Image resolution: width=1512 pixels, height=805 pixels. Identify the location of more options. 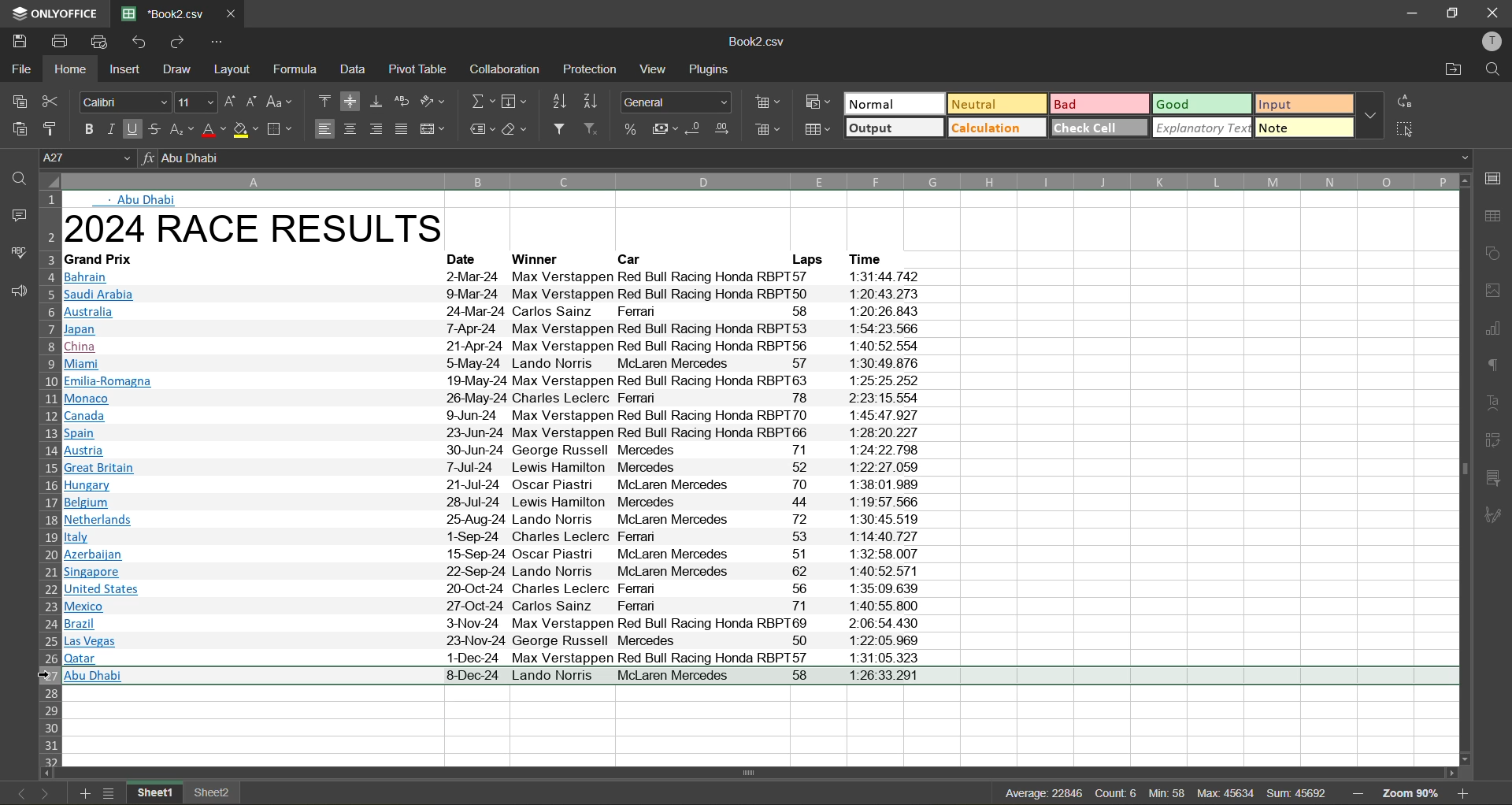
(1373, 117).